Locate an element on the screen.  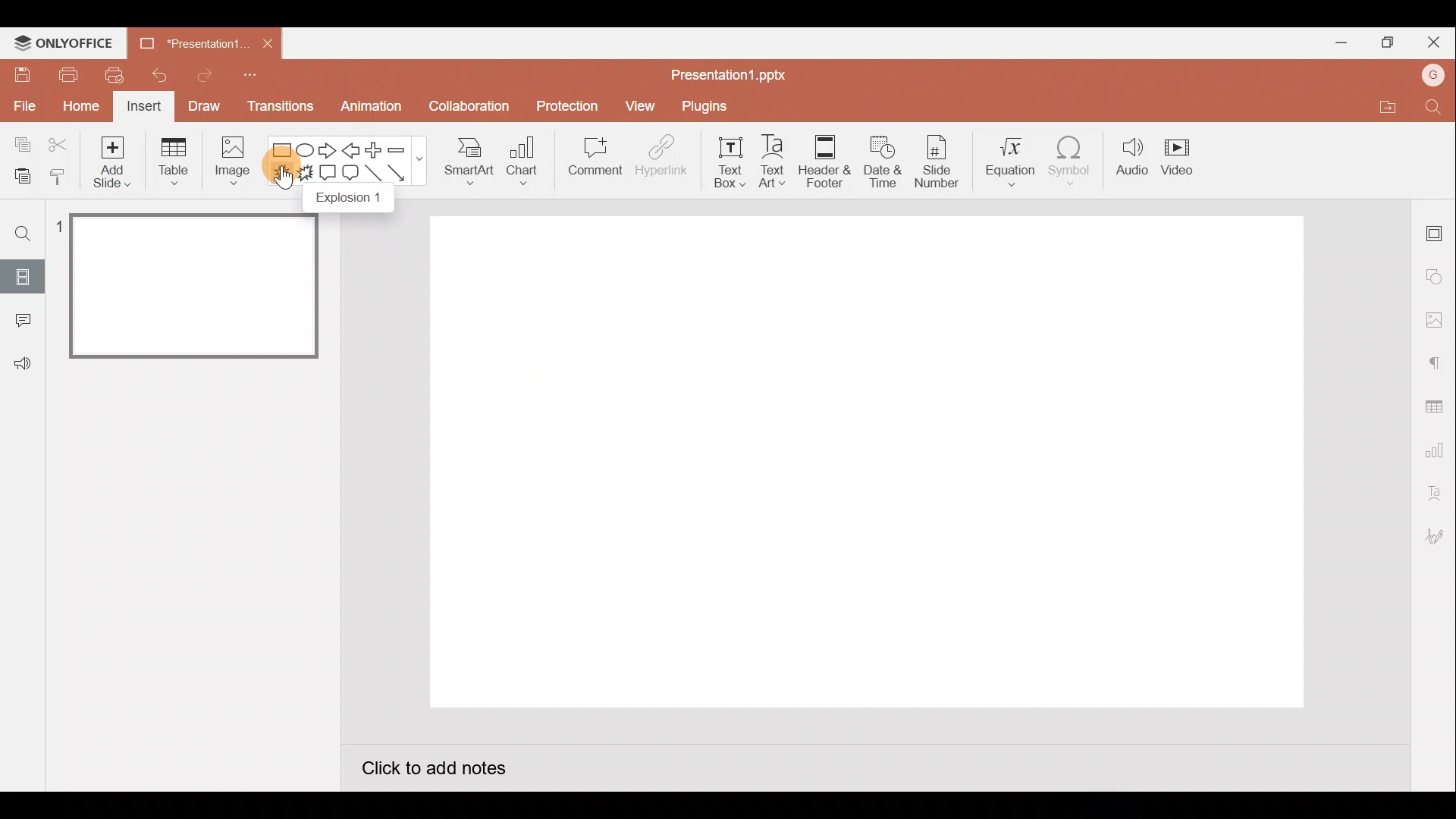
Presentation1.pptx is located at coordinates (725, 74).